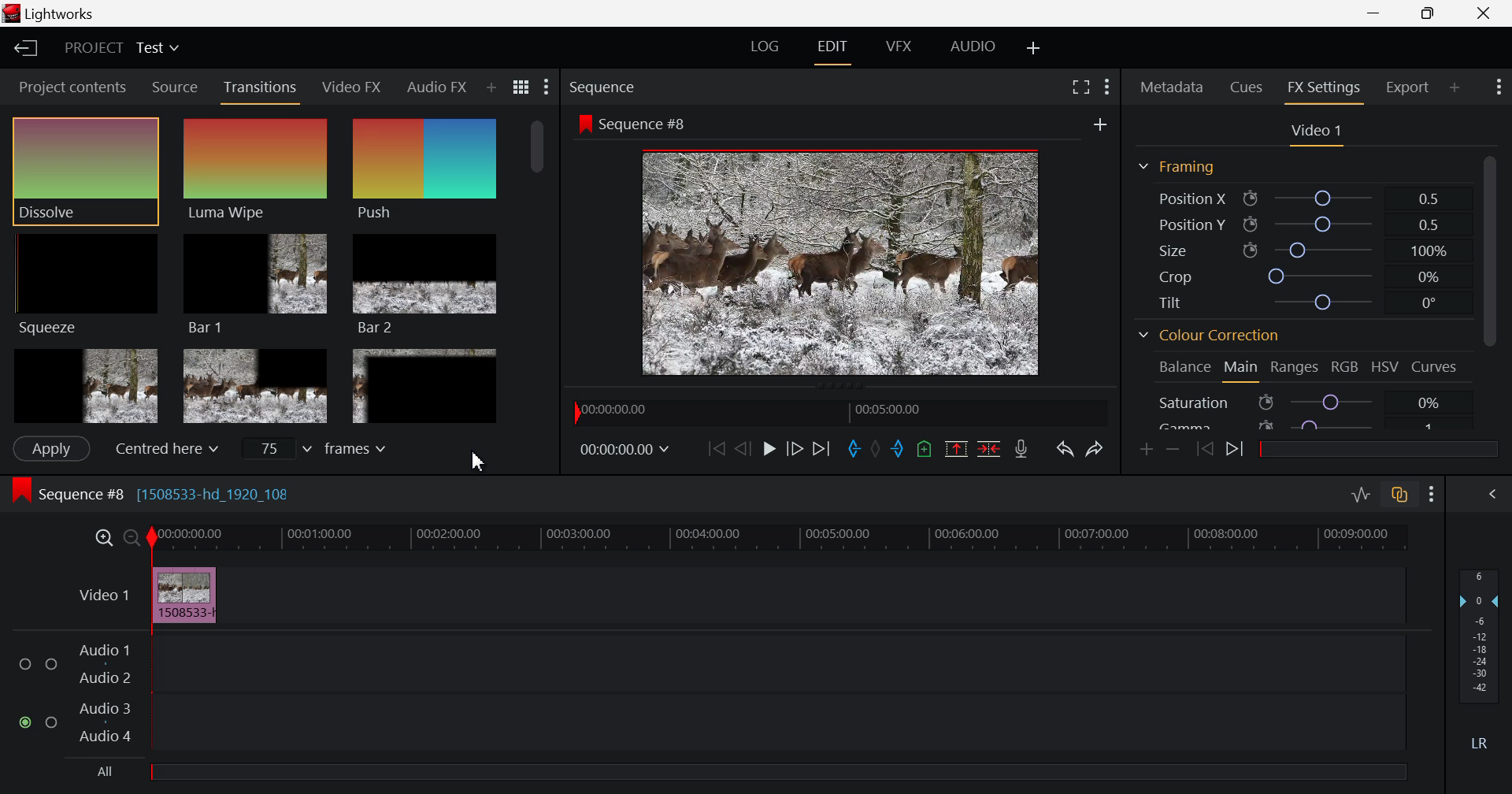  I want to click on Sequence#8 [1508533-hd_1920_108, so click(165, 493).